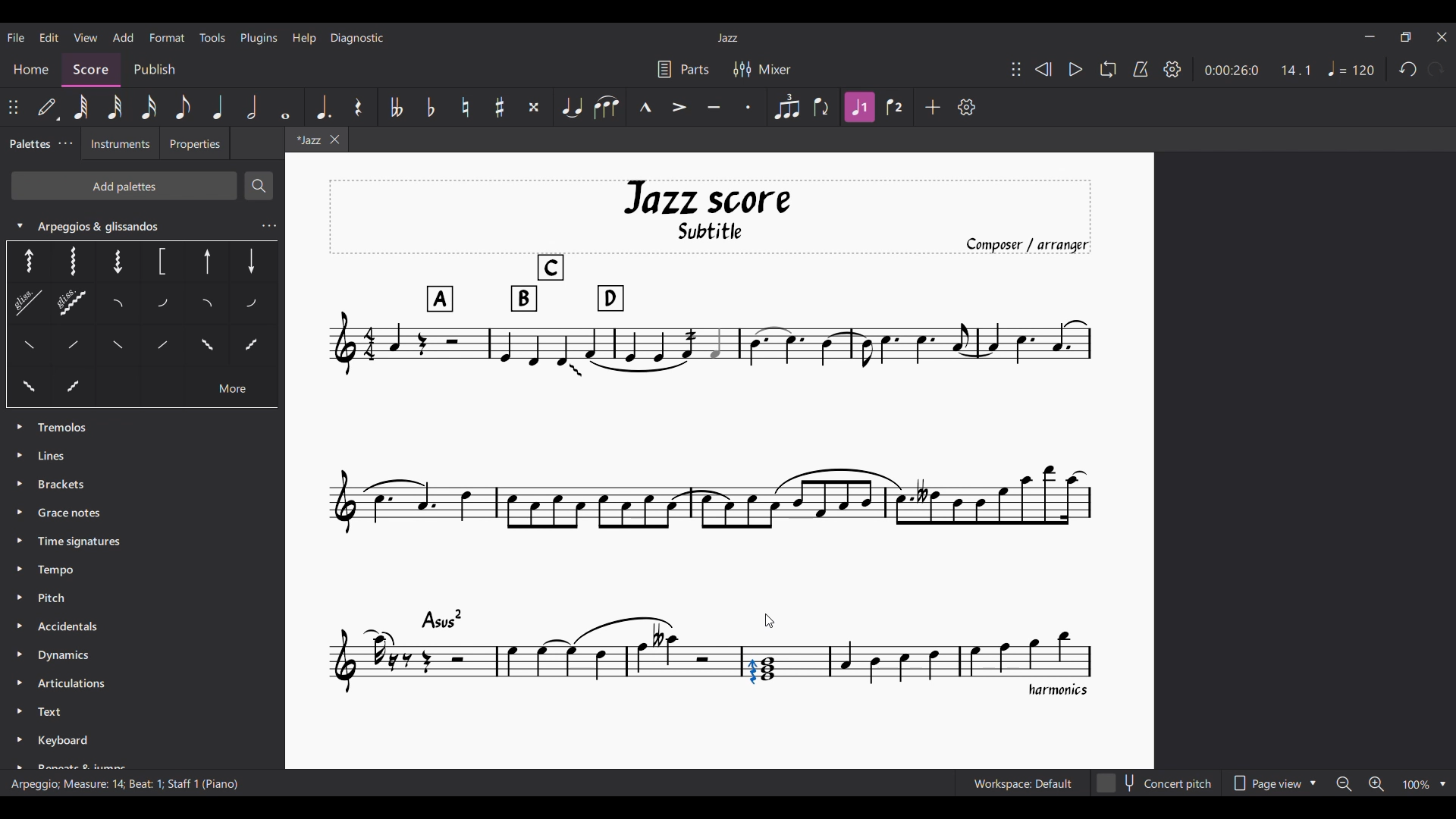 This screenshot has height=819, width=1456. I want to click on , so click(67, 261).